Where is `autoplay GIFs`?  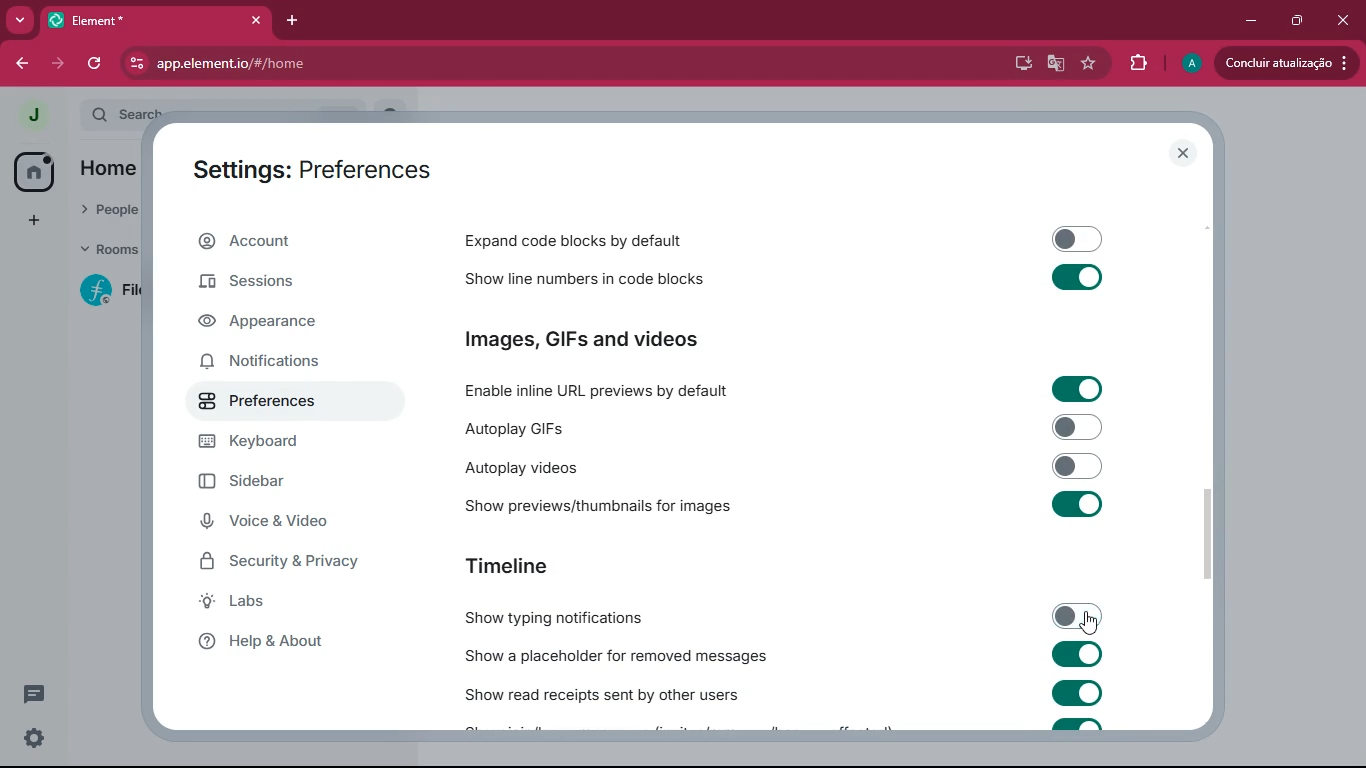
autoplay GIFs is located at coordinates (604, 425).